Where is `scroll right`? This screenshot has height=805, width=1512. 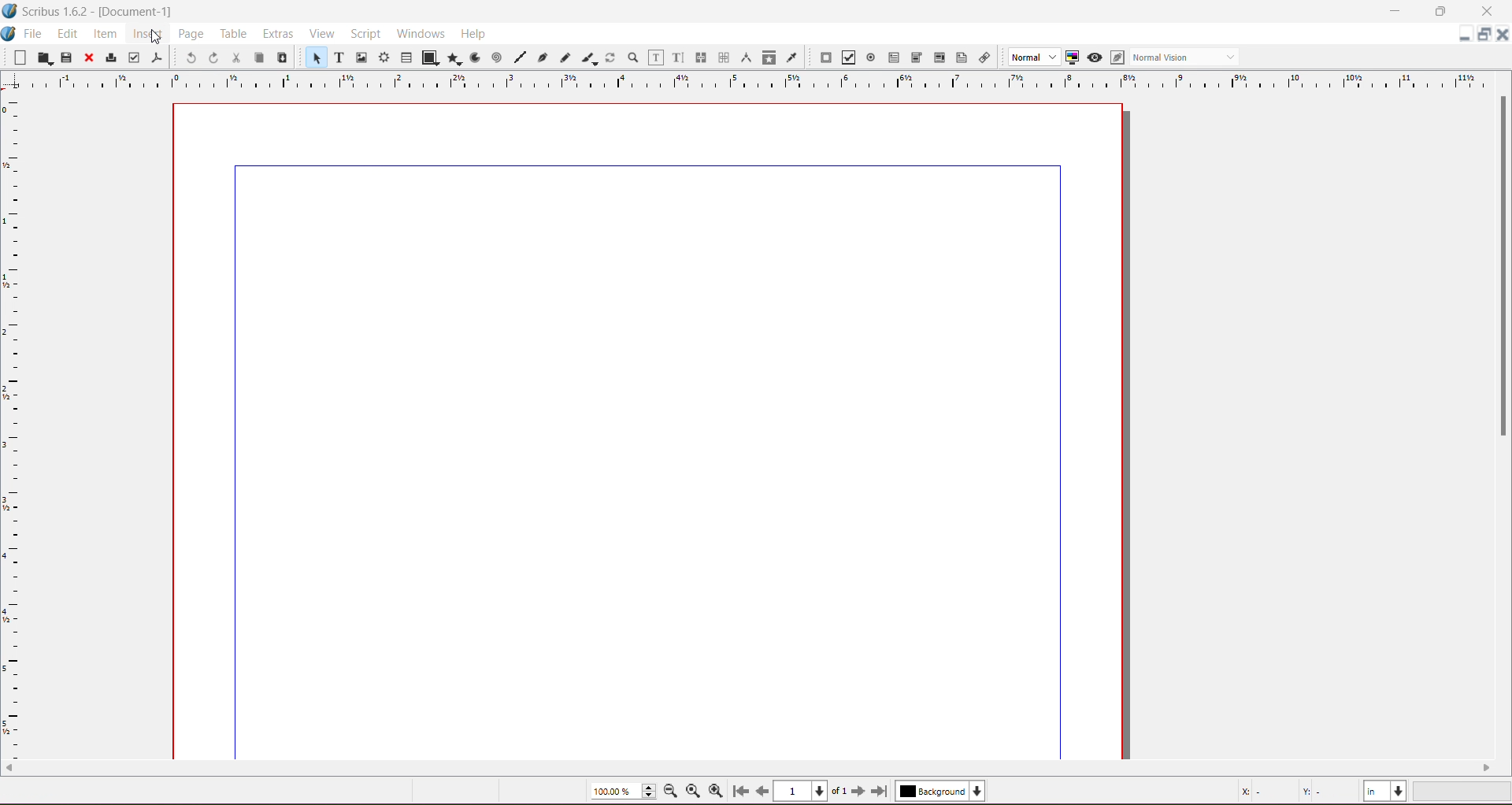 scroll right is located at coordinates (1492, 768).